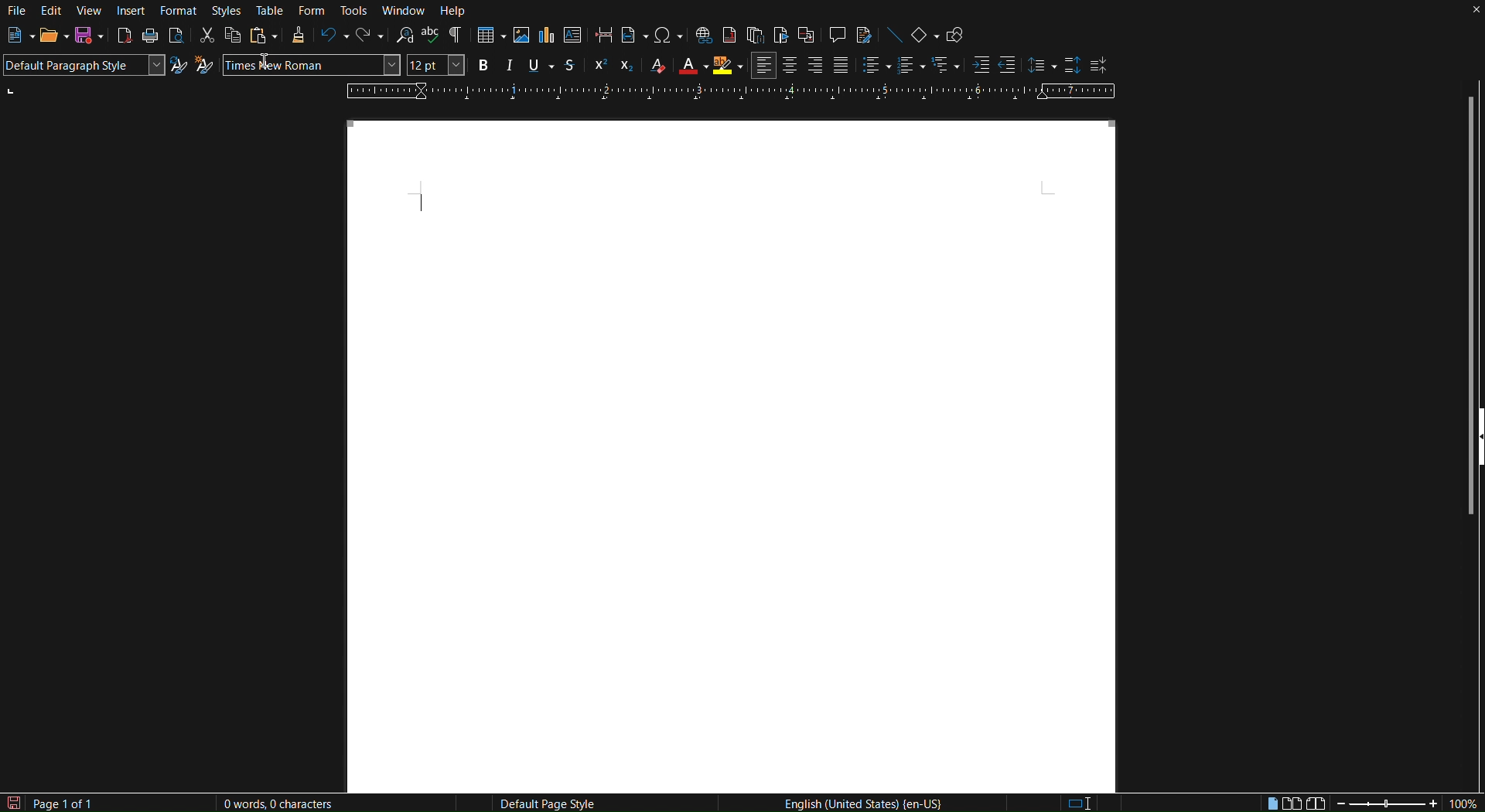 This screenshot has width=1485, height=812. What do you see at coordinates (131, 11) in the screenshot?
I see `Insert` at bounding box center [131, 11].